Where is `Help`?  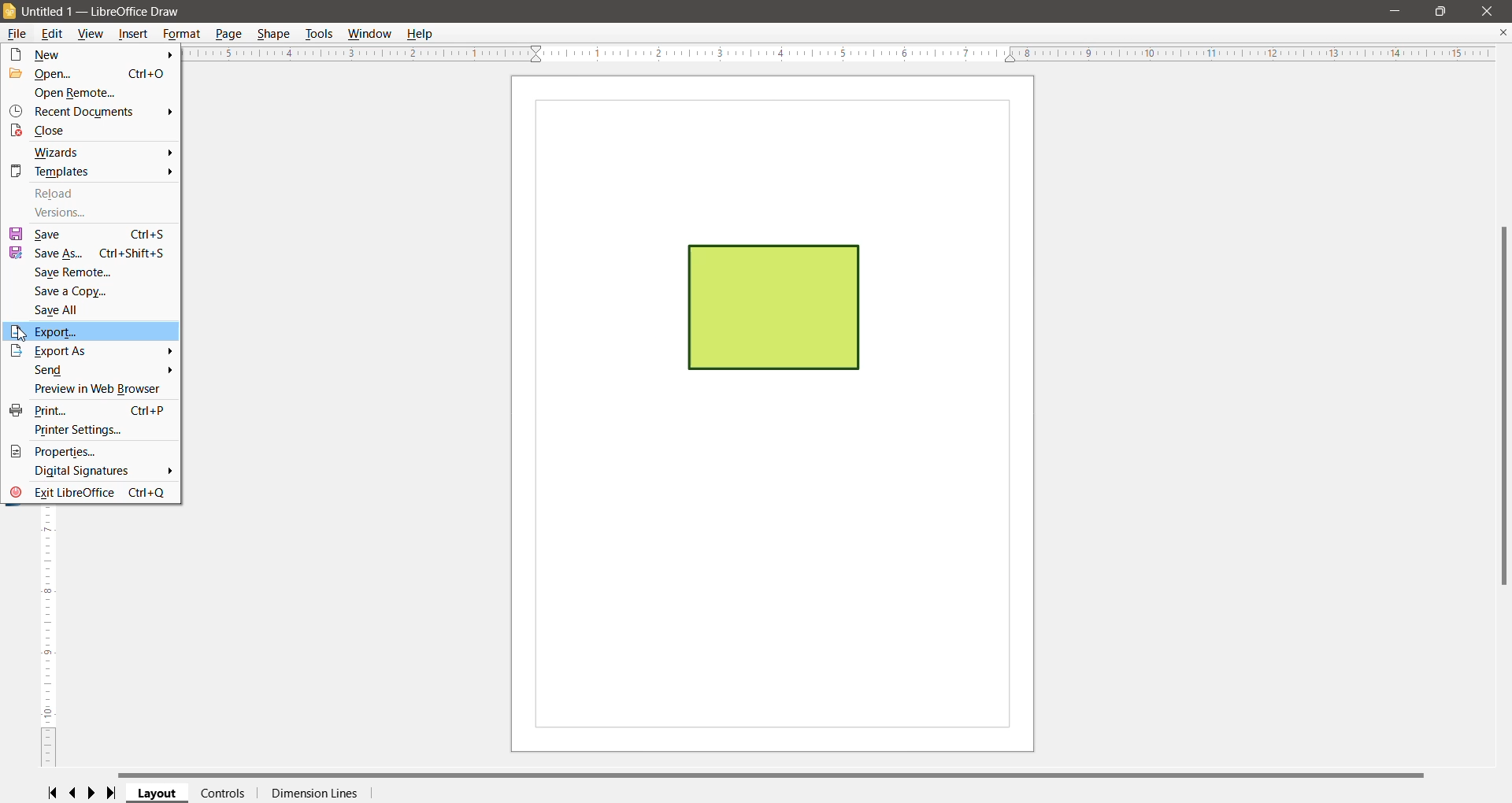 Help is located at coordinates (423, 34).